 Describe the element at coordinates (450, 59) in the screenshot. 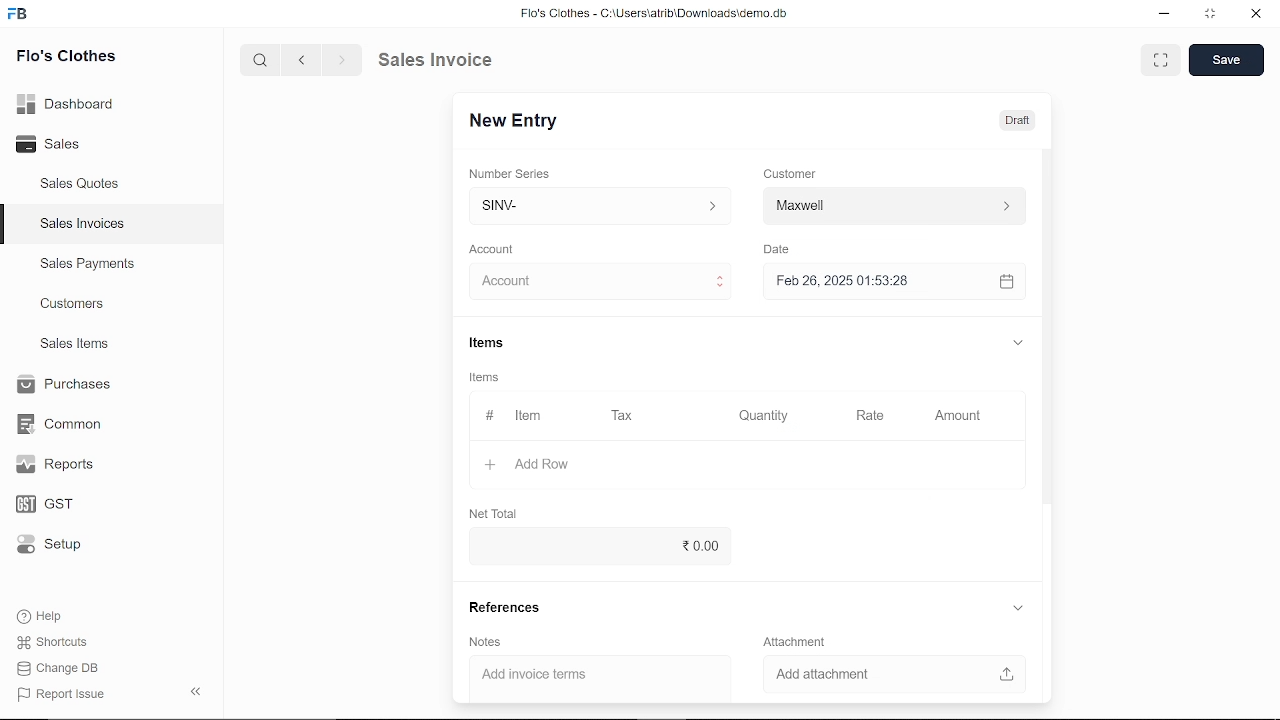

I see `Sales Invoice` at that location.